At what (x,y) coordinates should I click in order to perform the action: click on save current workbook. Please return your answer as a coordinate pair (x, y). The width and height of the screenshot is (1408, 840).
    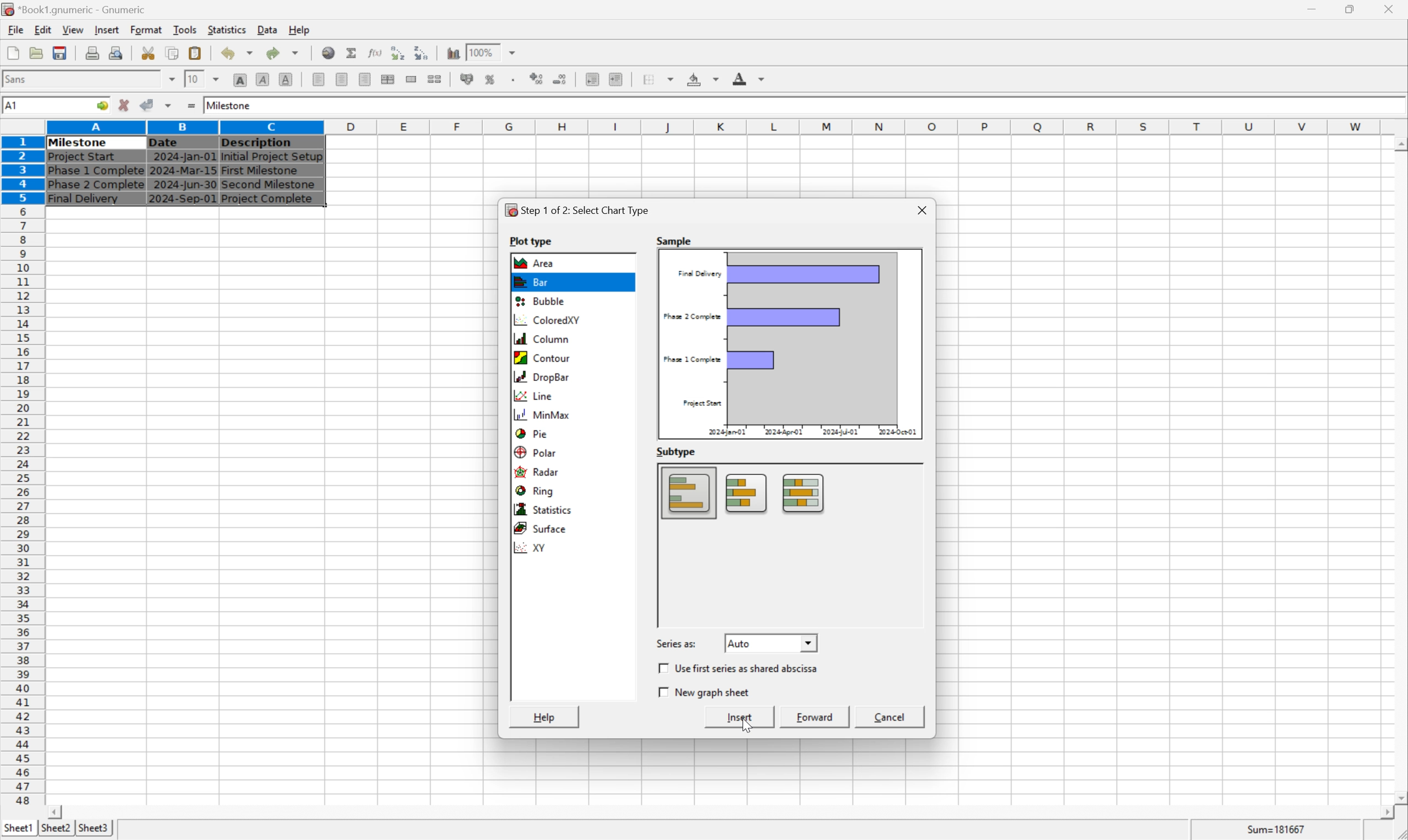
    Looking at the image, I should click on (60, 54).